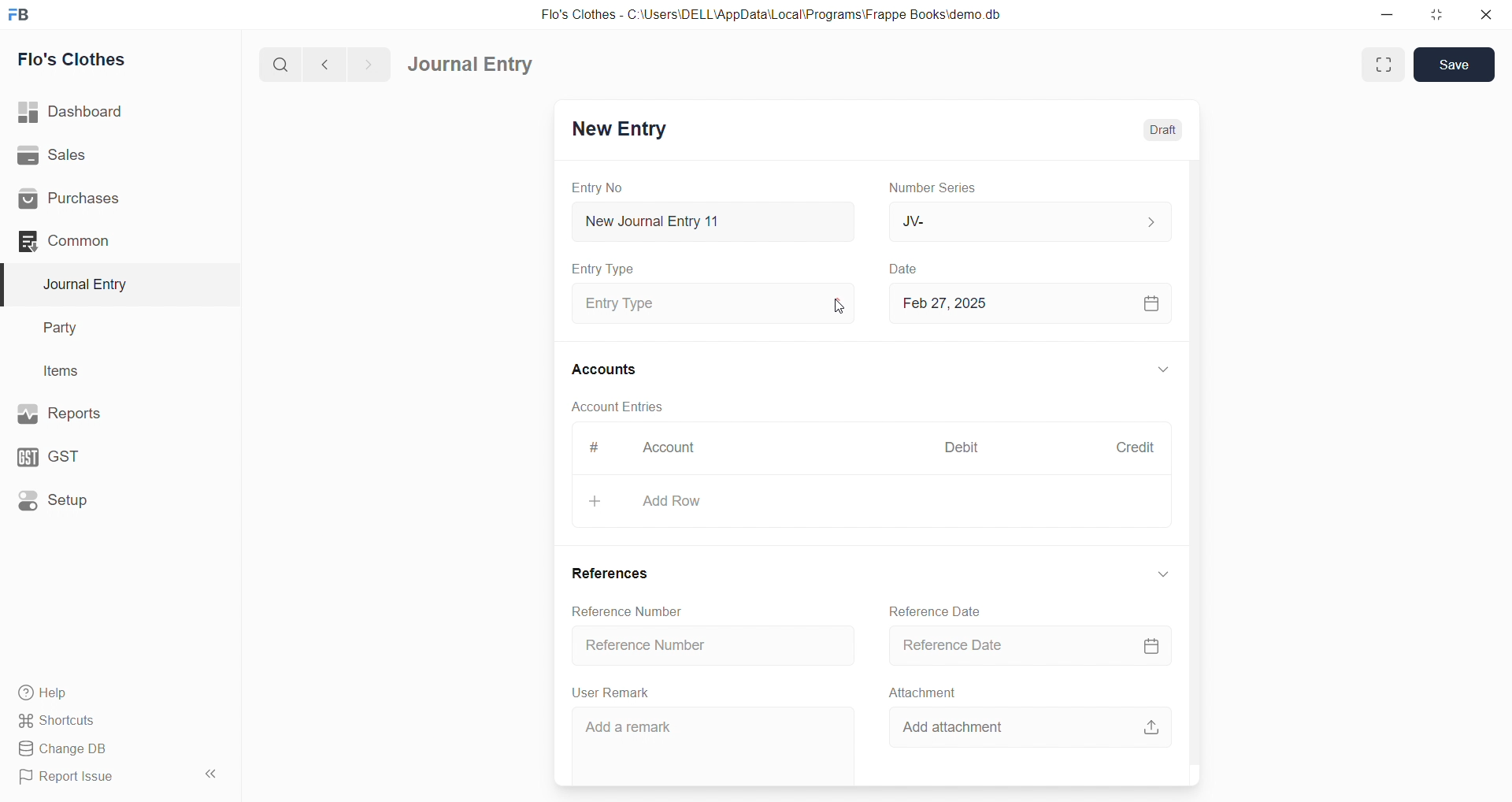  I want to click on Change DB, so click(98, 748).